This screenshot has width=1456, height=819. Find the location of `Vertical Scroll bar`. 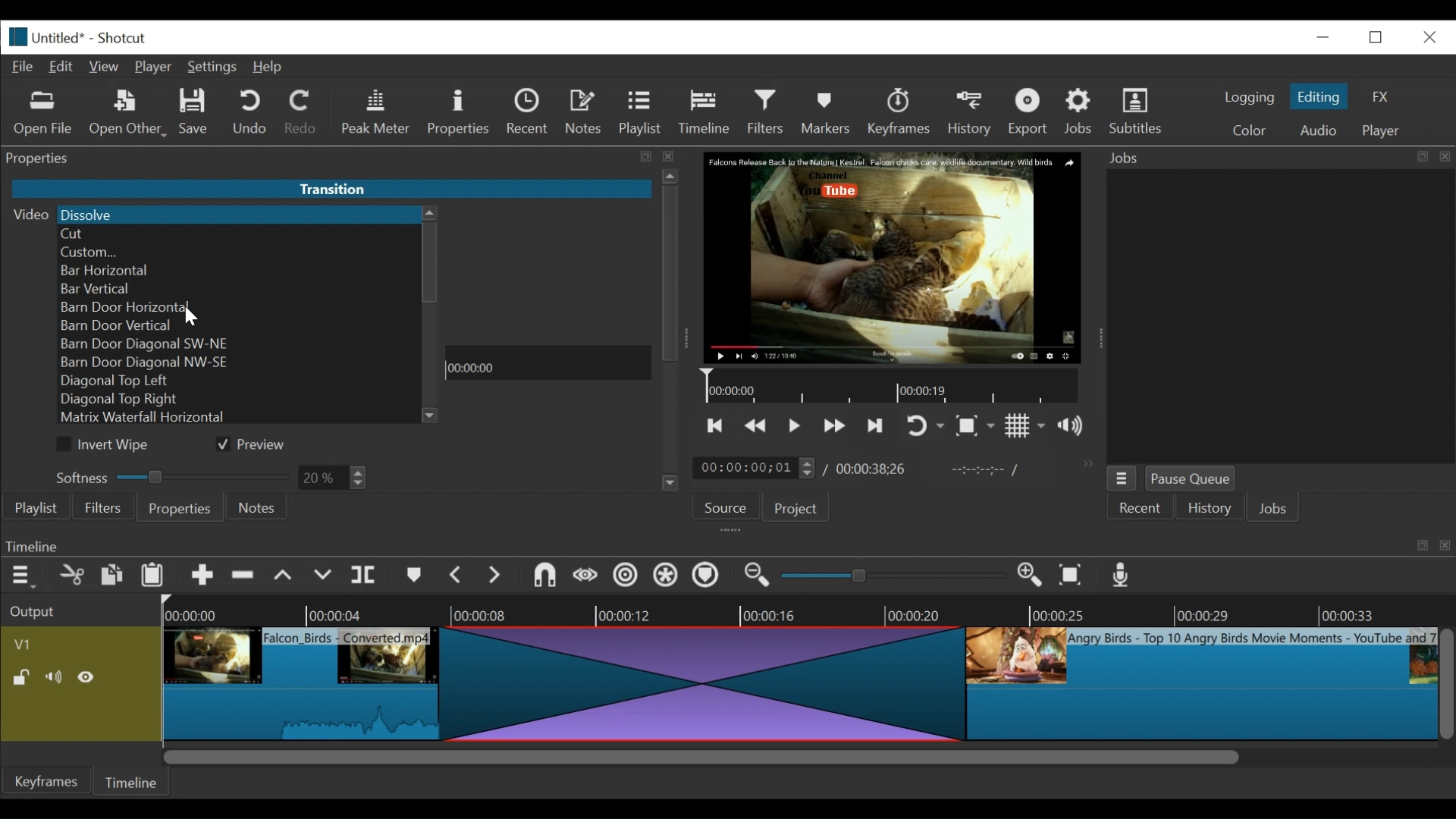

Vertical Scroll bar is located at coordinates (430, 263).